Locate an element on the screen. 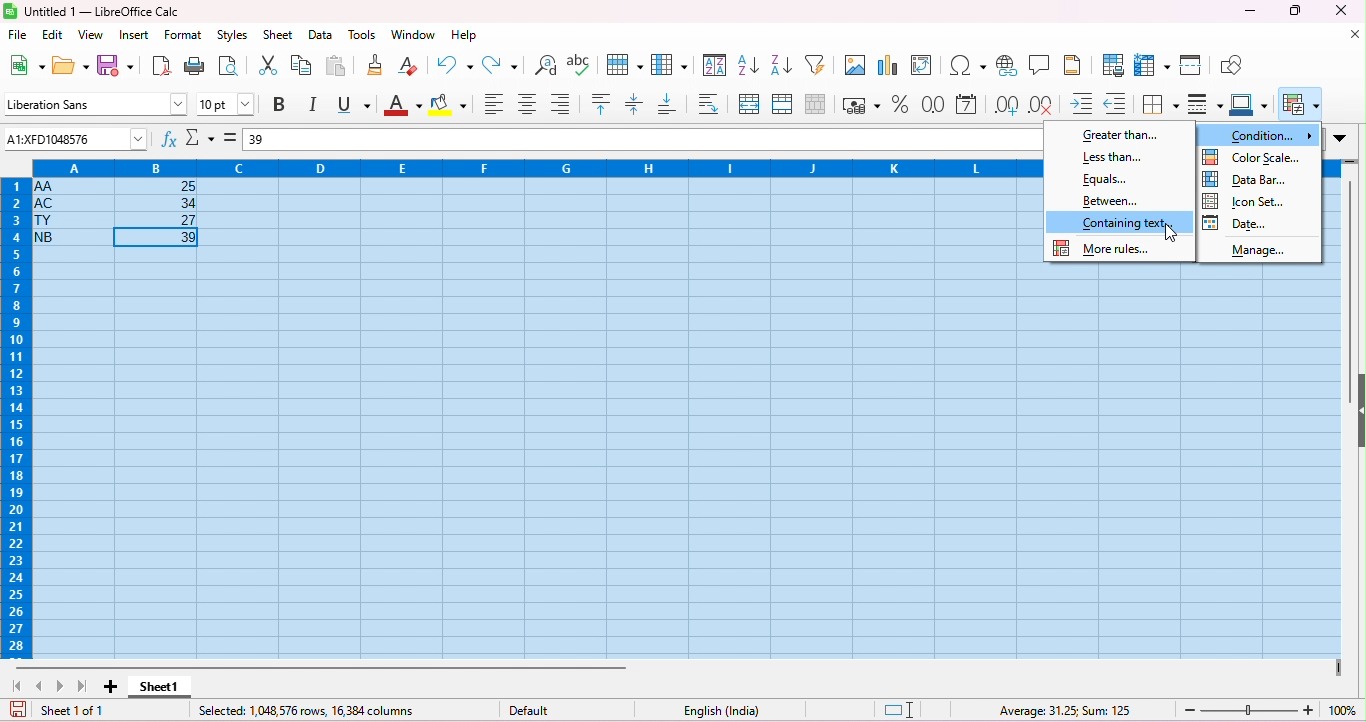  between is located at coordinates (1112, 202).